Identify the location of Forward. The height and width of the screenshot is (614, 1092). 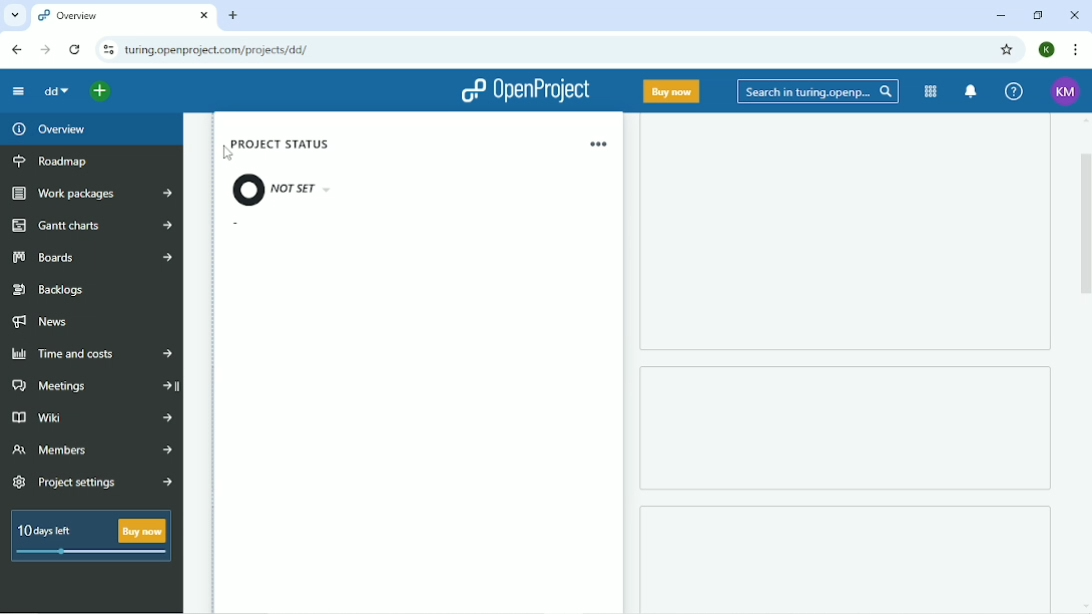
(45, 50).